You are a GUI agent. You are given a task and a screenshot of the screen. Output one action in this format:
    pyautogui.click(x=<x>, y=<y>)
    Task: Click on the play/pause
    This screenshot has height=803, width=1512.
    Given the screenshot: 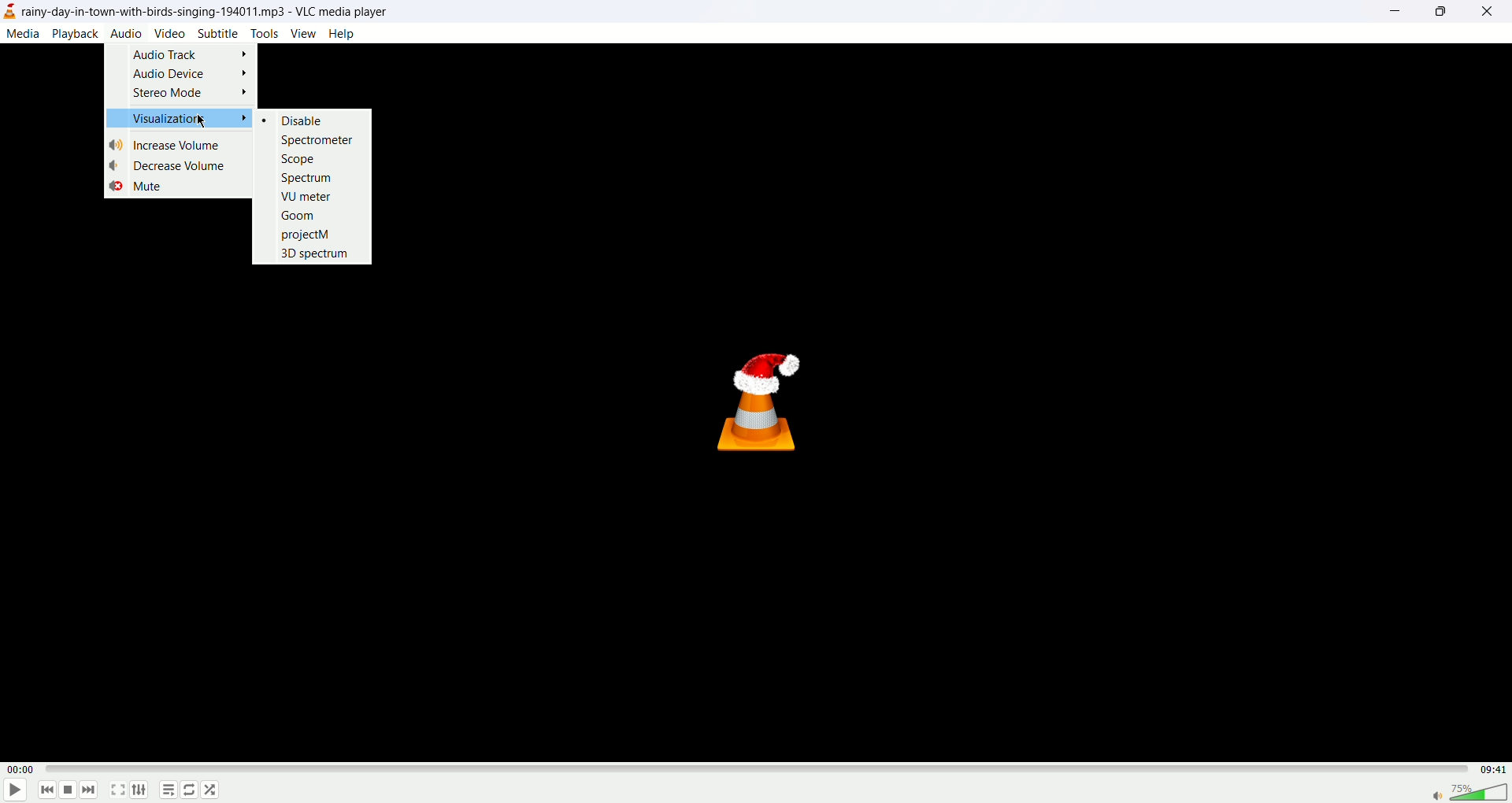 What is the action you would take?
    pyautogui.click(x=15, y=791)
    